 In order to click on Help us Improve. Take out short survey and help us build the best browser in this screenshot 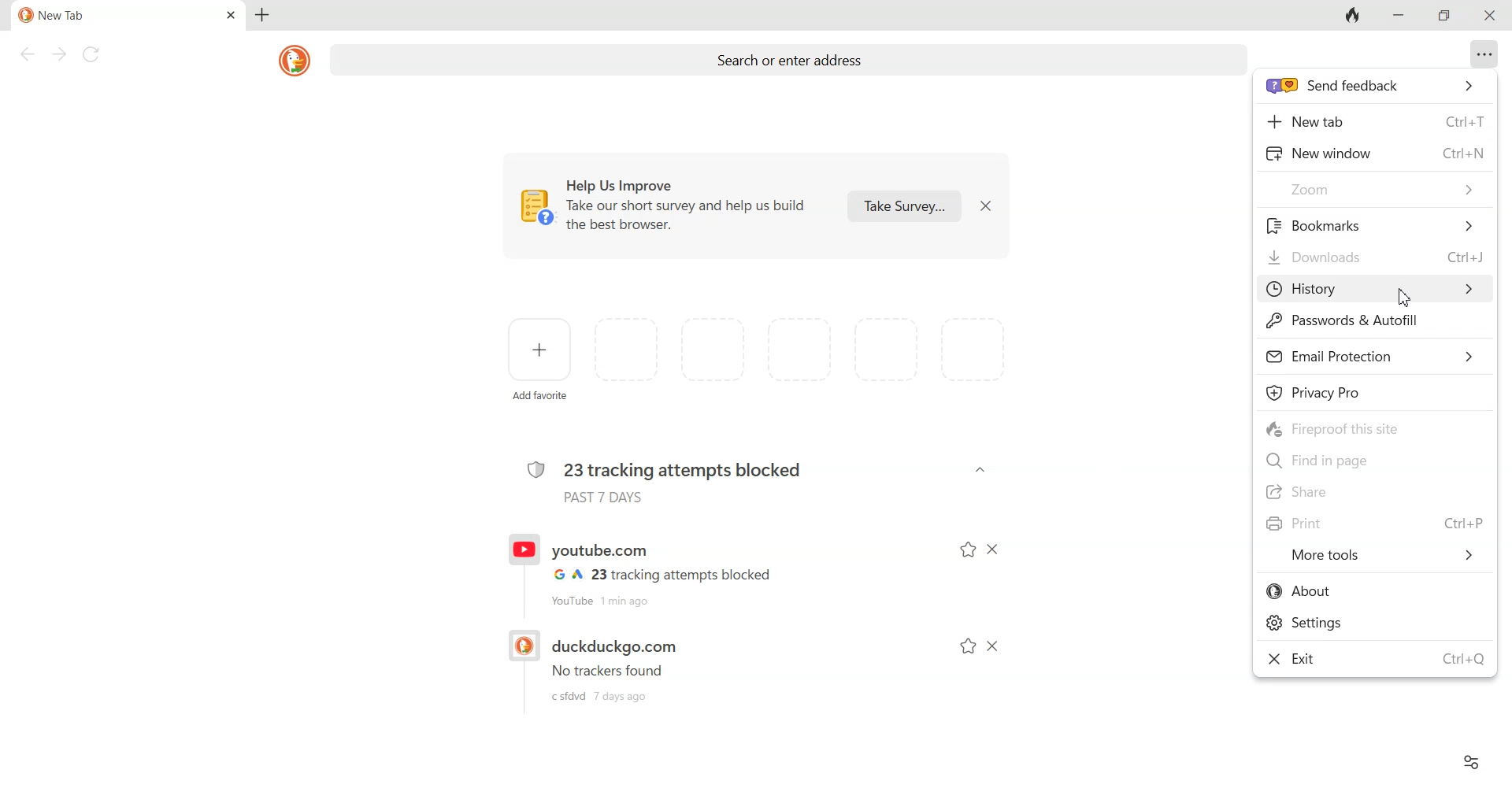, I will do `click(669, 206)`.